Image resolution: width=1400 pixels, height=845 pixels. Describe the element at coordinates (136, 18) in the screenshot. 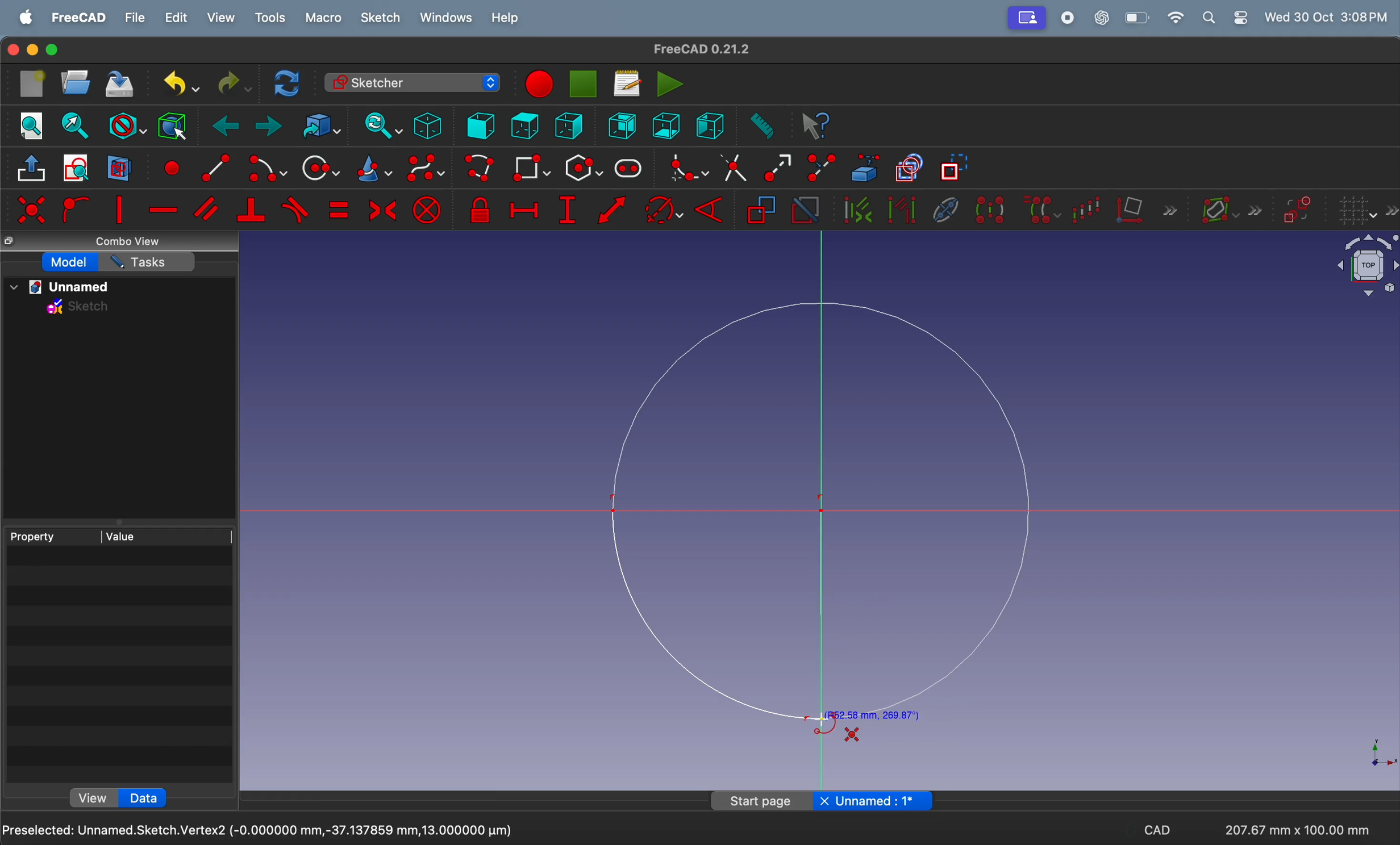

I see `file` at that location.